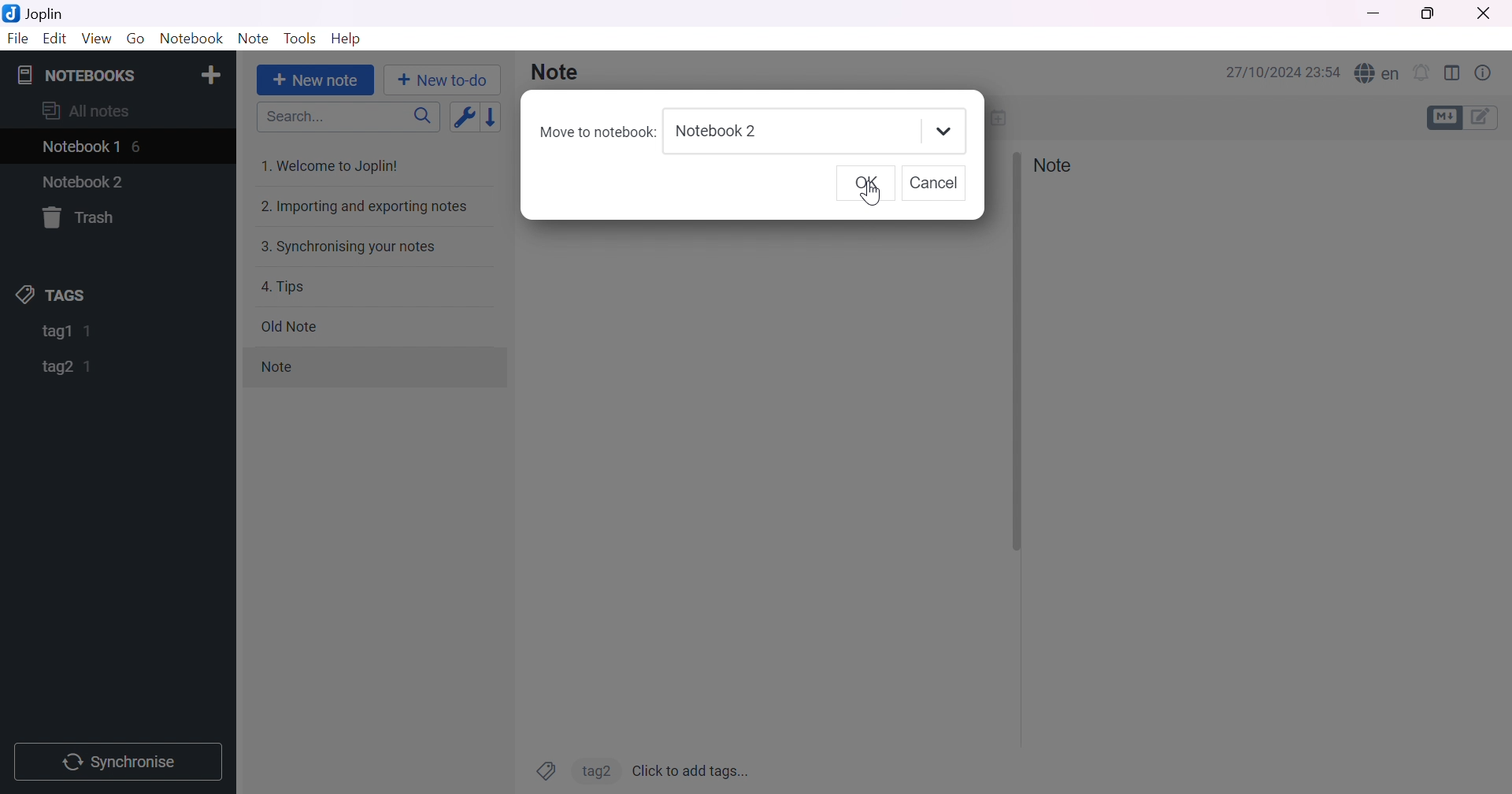 The height and width of the screenshot is (794, 1512). I want to click on 6, so click(139, 146).